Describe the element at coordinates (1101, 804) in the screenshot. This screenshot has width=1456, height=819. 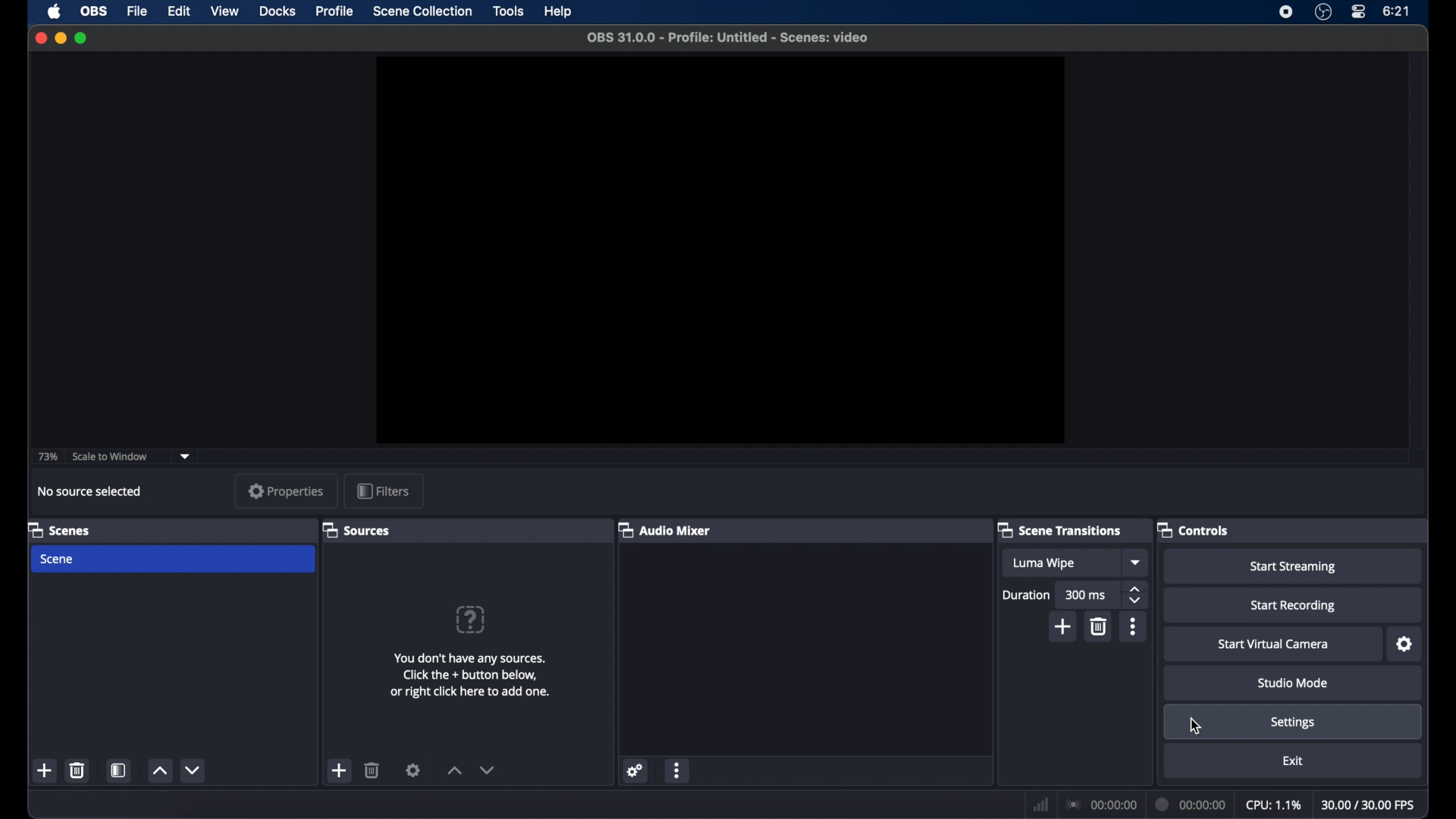
I see `connection` at that location.